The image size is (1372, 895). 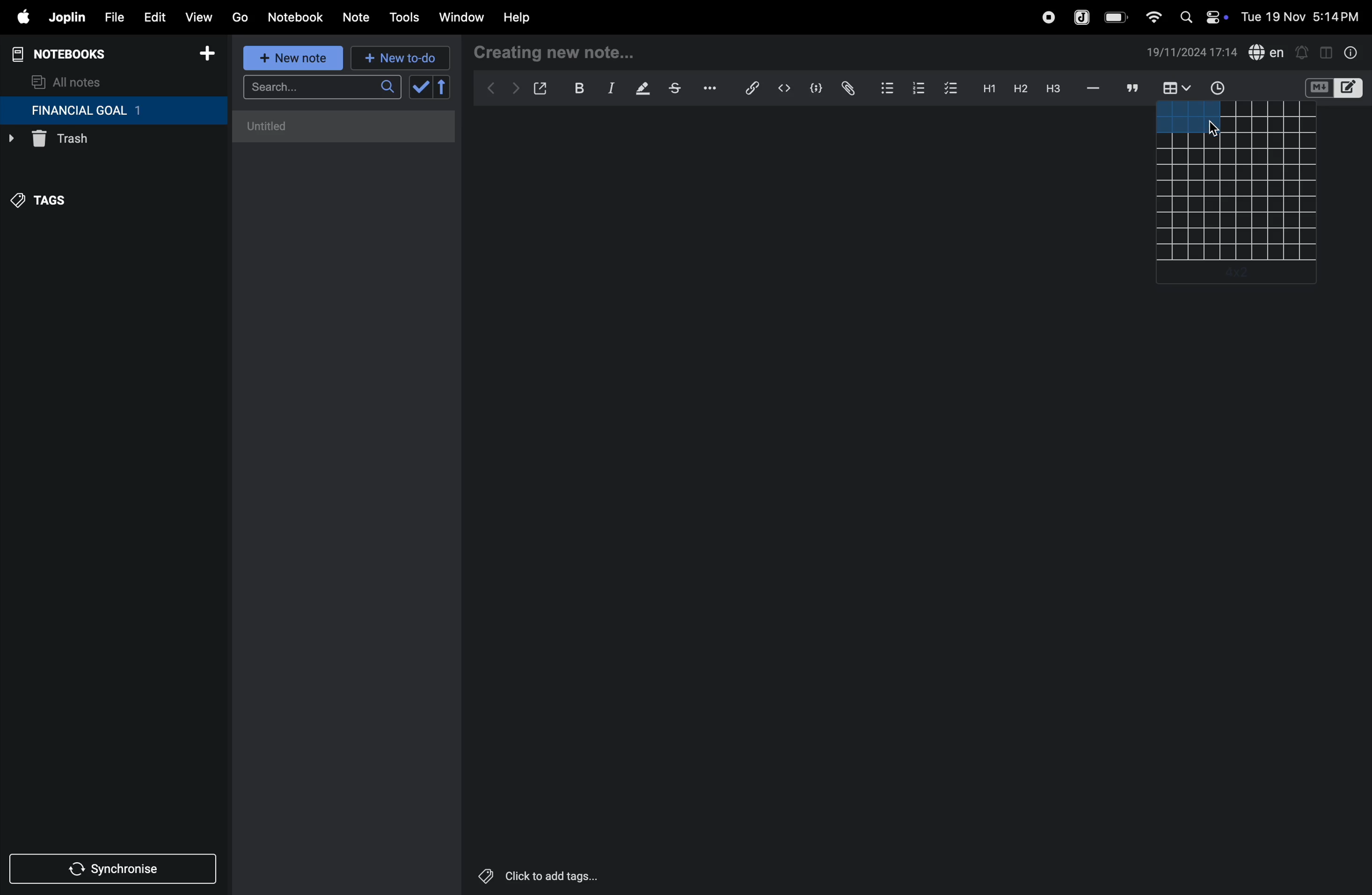 I want to click on H1, so click(x=987, y=89).